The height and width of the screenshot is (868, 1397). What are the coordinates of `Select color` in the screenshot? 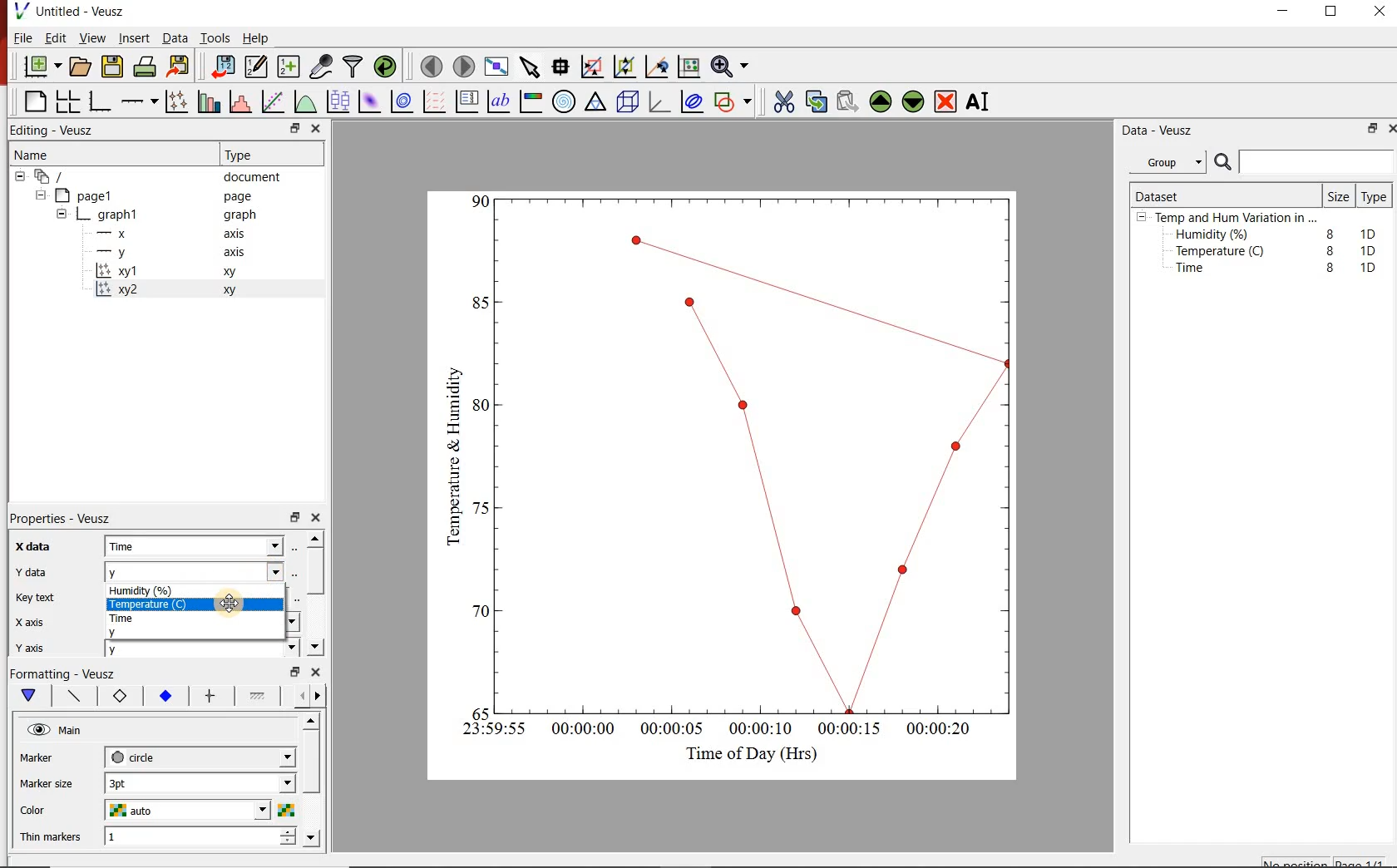 It's located at (287, 811).